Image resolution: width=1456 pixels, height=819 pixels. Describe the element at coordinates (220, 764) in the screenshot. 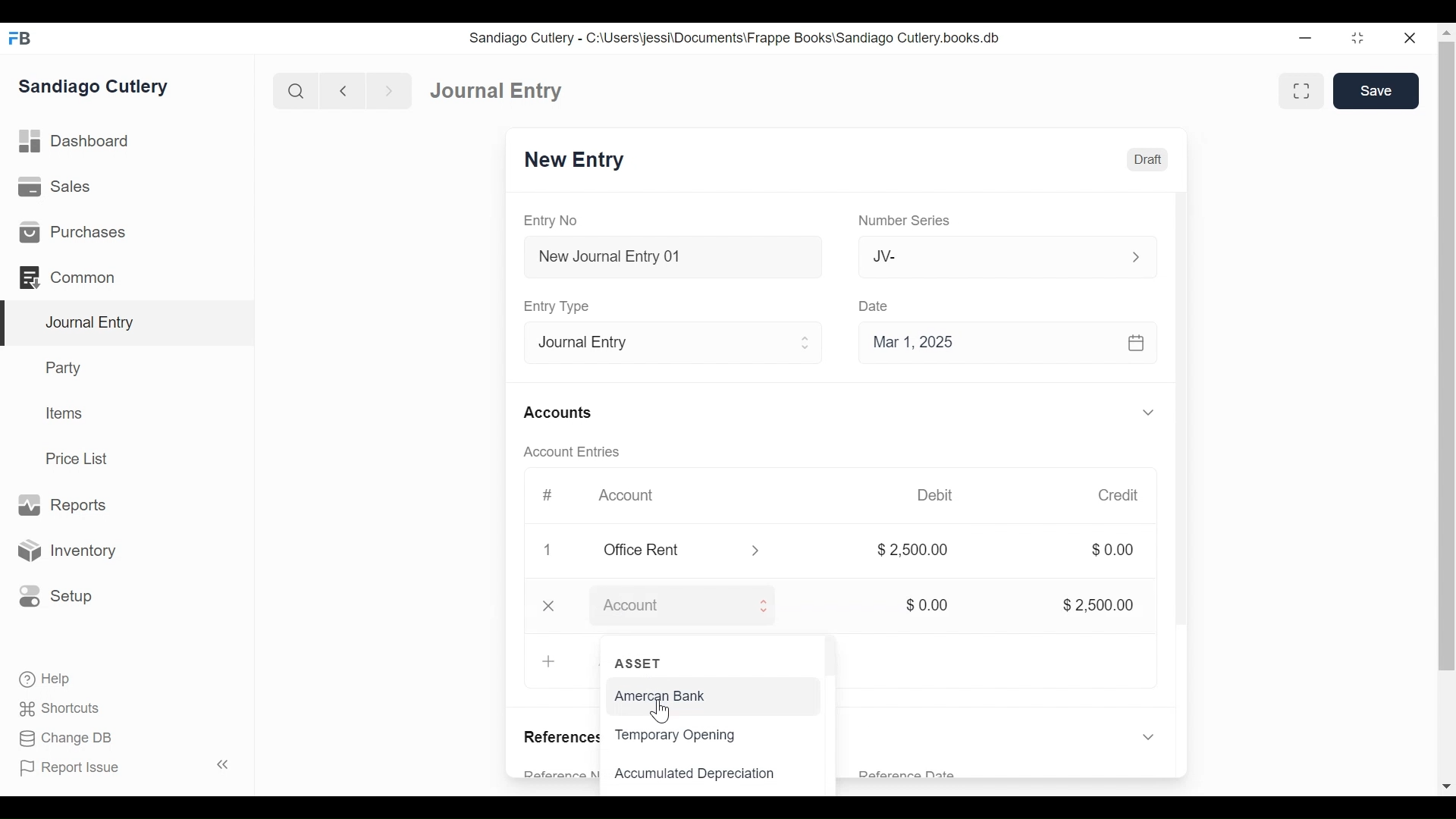

I see `collapse sidebar` at that location.